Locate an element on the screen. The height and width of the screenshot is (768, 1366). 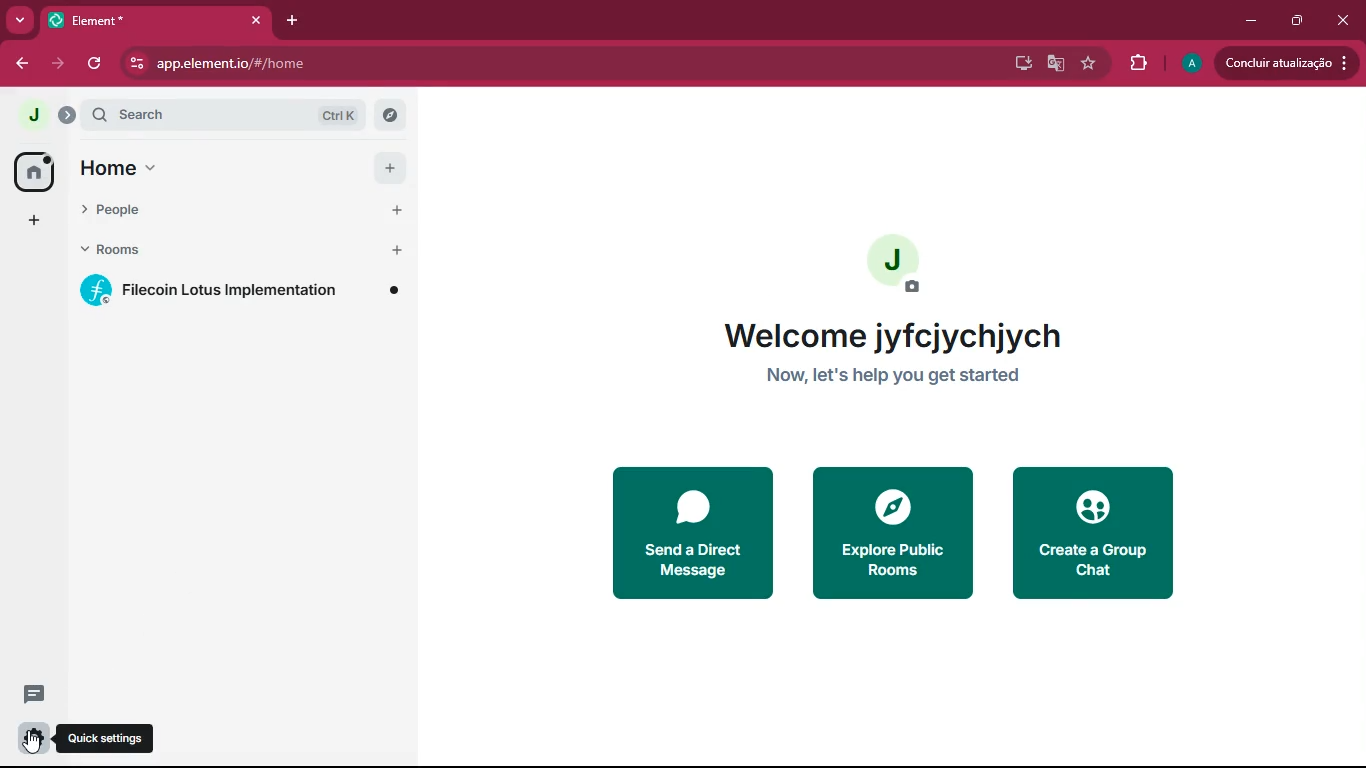
favourite is located at coordinates (1089, 64).